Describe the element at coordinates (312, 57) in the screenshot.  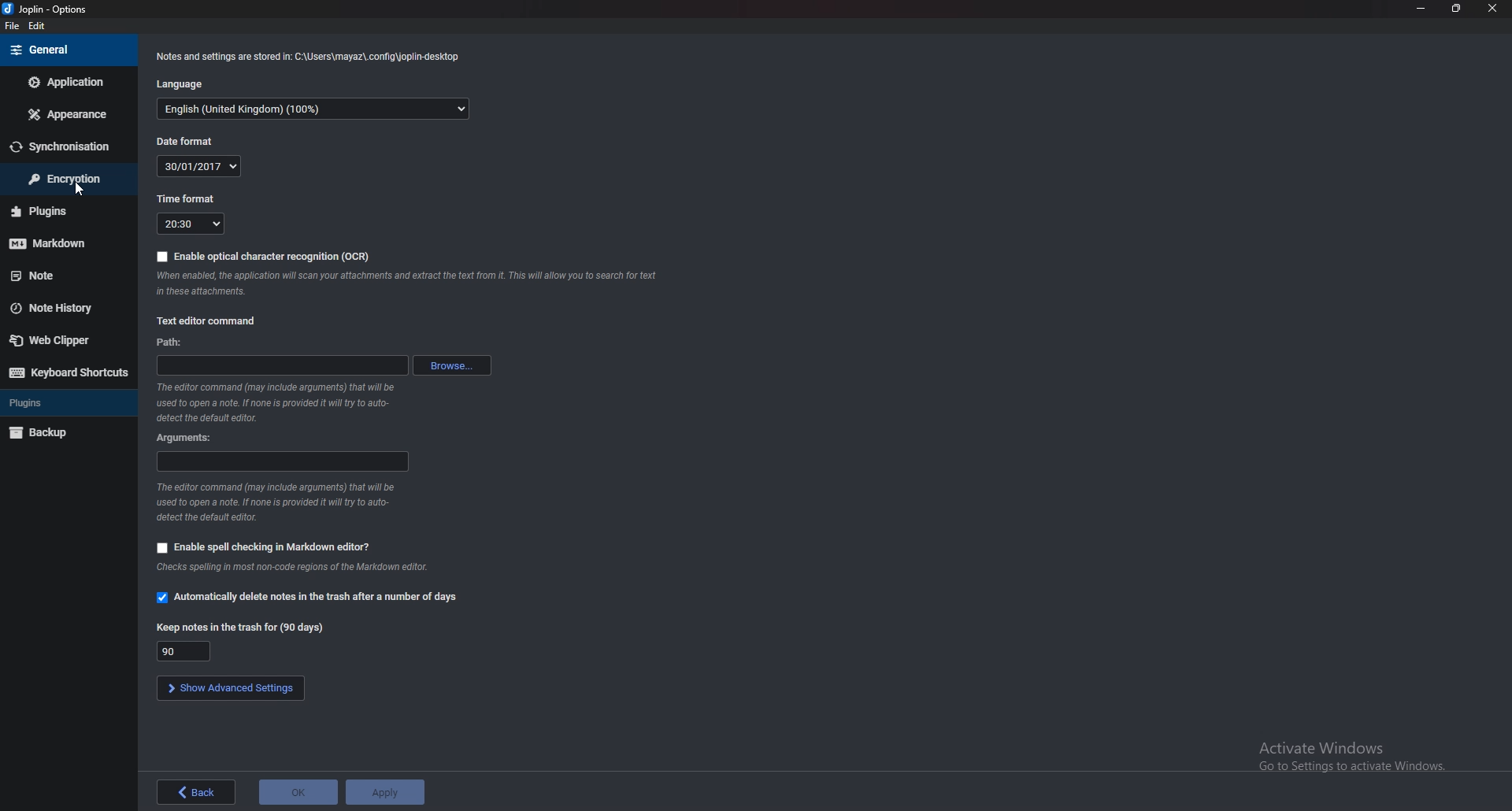
I see `info` at that location.